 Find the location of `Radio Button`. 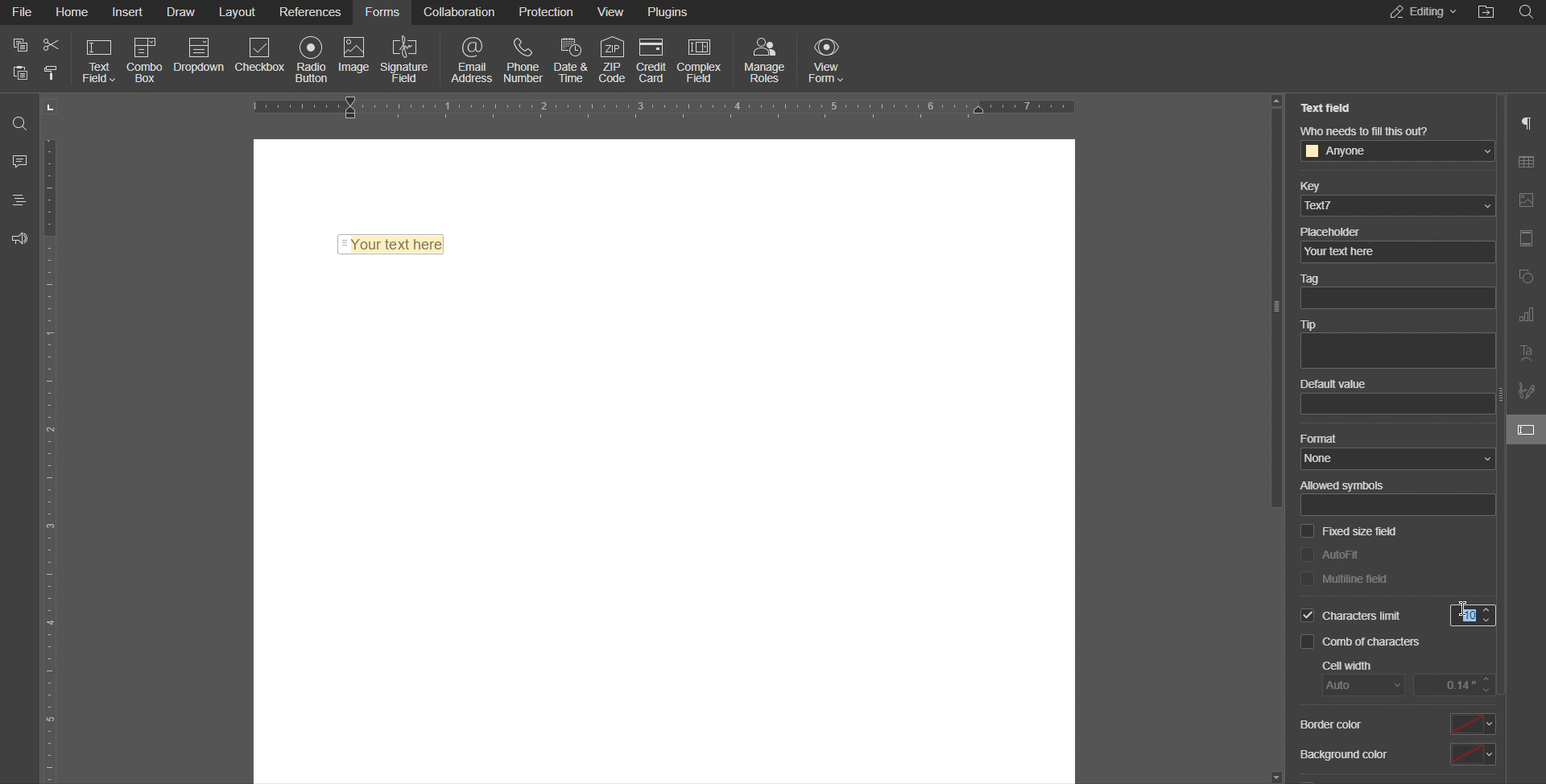

Radio Button is located at coordinates (316, 59).